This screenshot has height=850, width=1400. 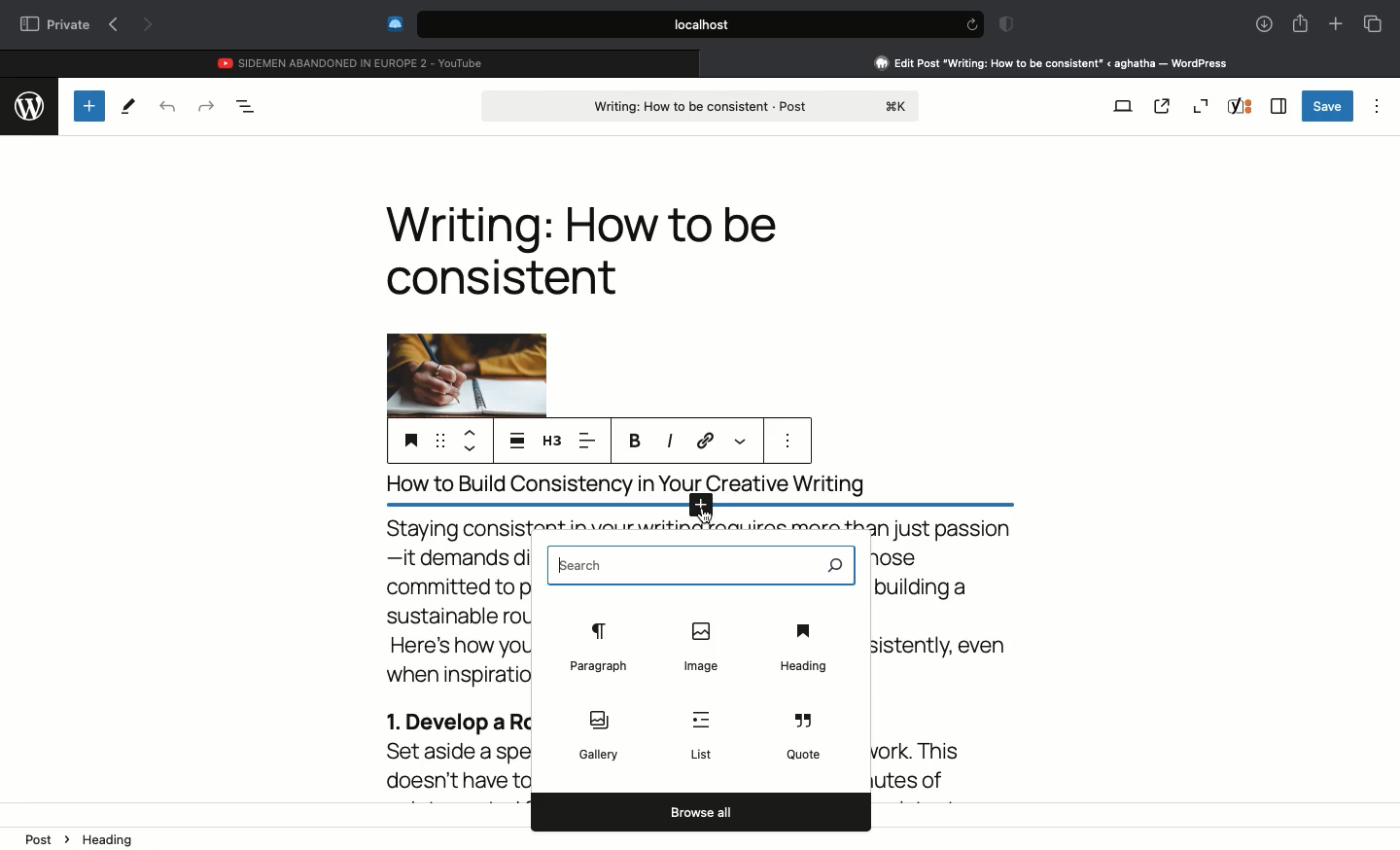 What do you see at coordinates (701, 810) in the screenshot?
I see `Browse all` at bounding box center [701, 810].